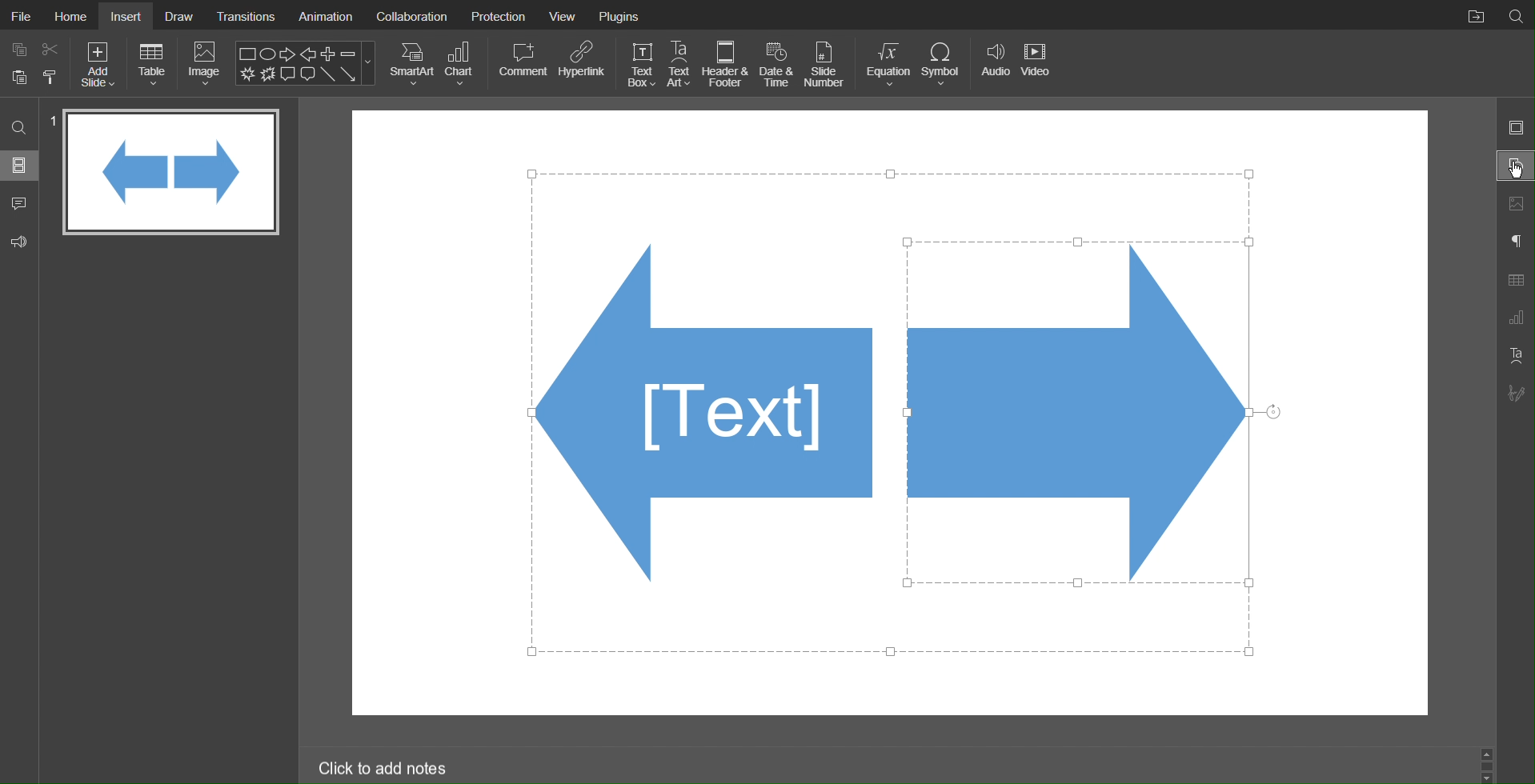 This screenshot has height=784, width=1535. What do you see at coordinates (941, 63) in the screenshot?
I see `Symbol` at bounding box center [941, 63].